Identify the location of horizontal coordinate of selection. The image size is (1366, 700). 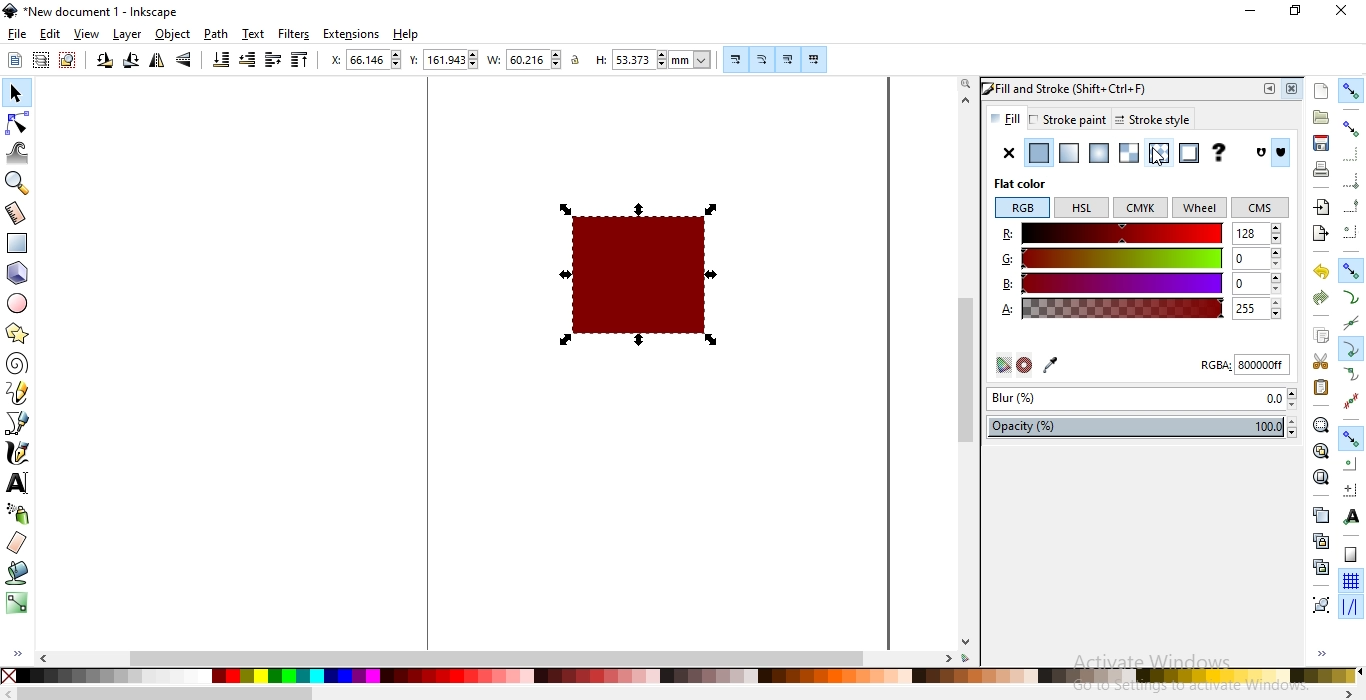
(333, 60).